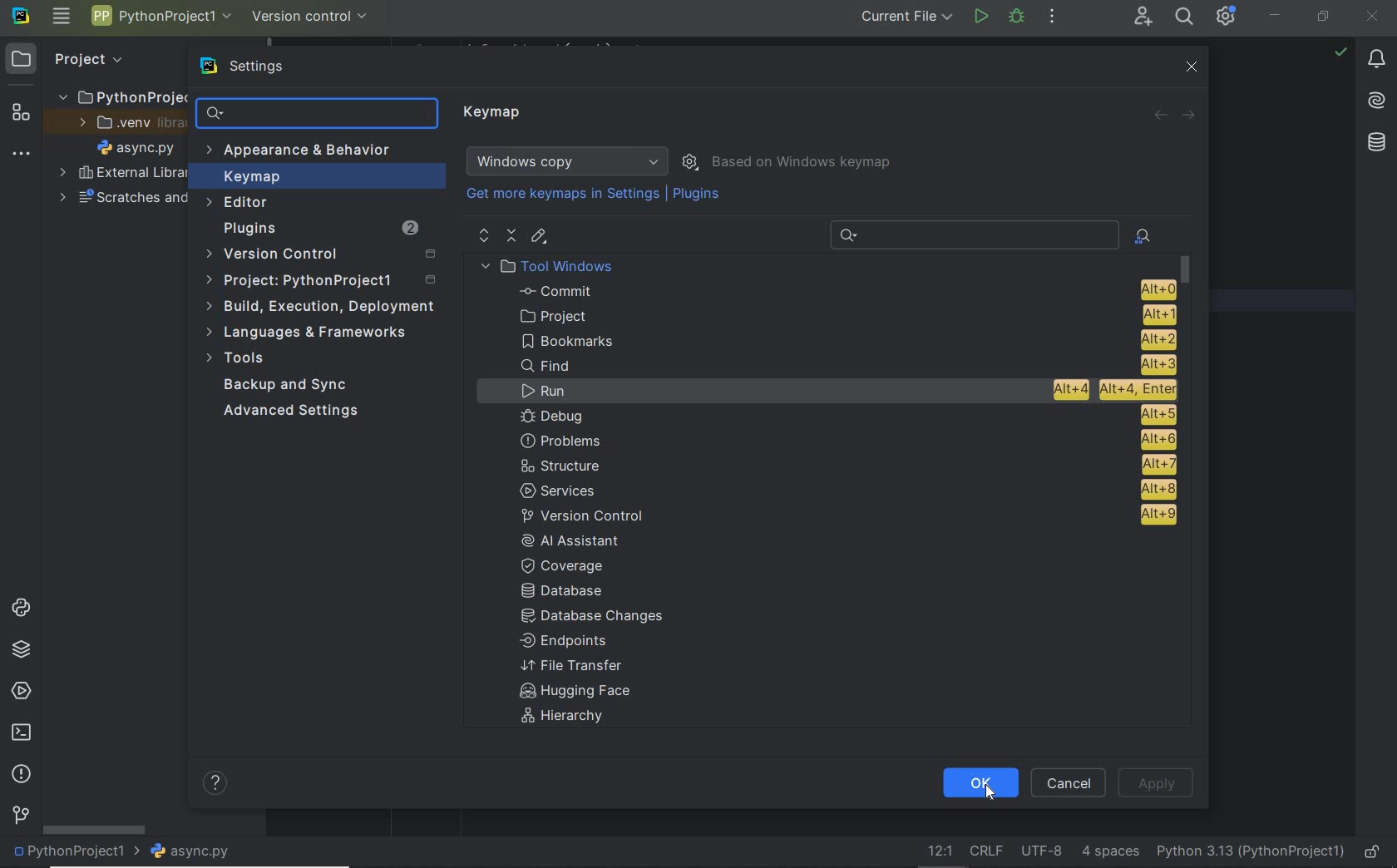  I want to click on project, so click(842, 315).